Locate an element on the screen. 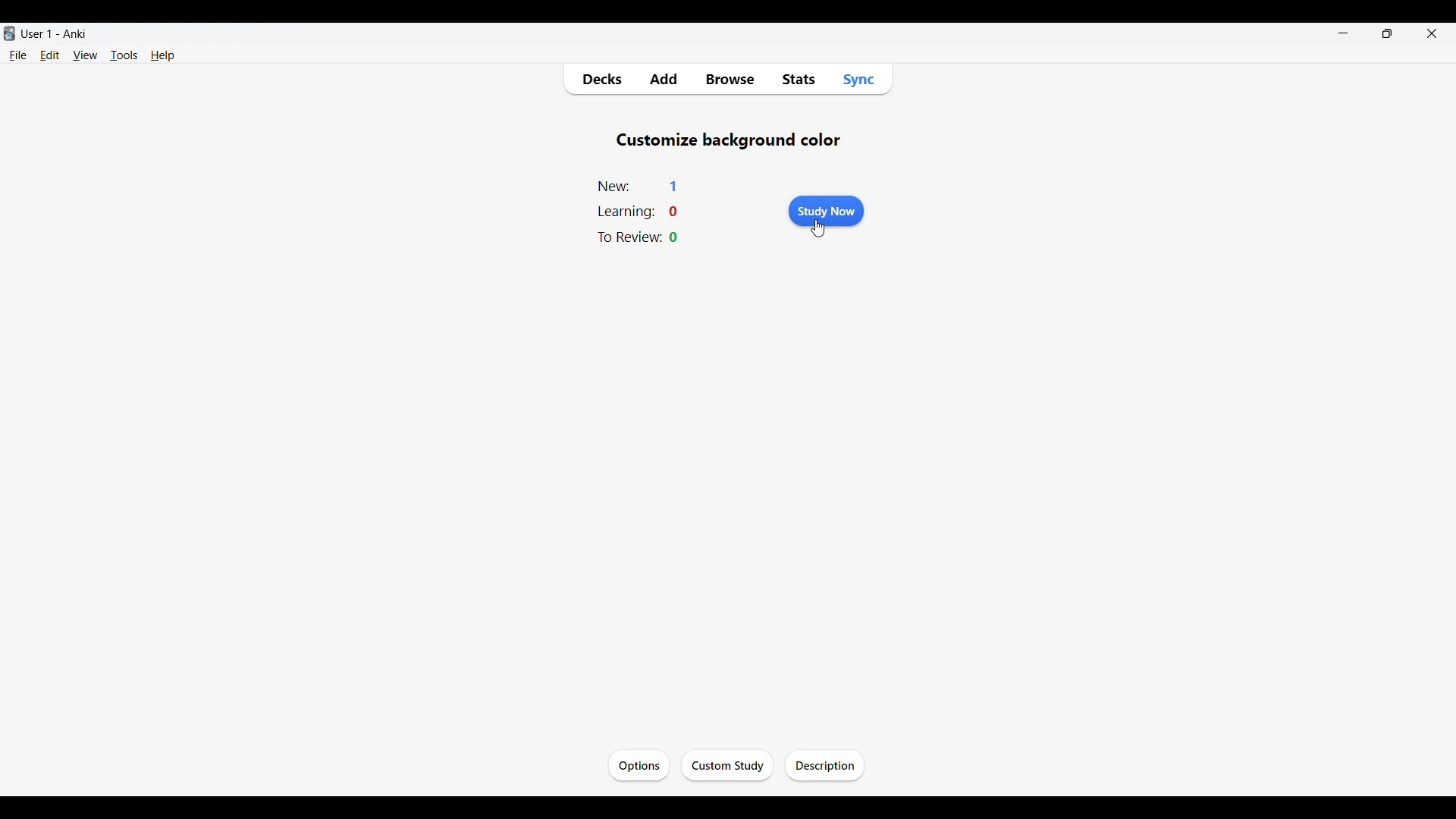  View menu is located at coordinates (86, 55).